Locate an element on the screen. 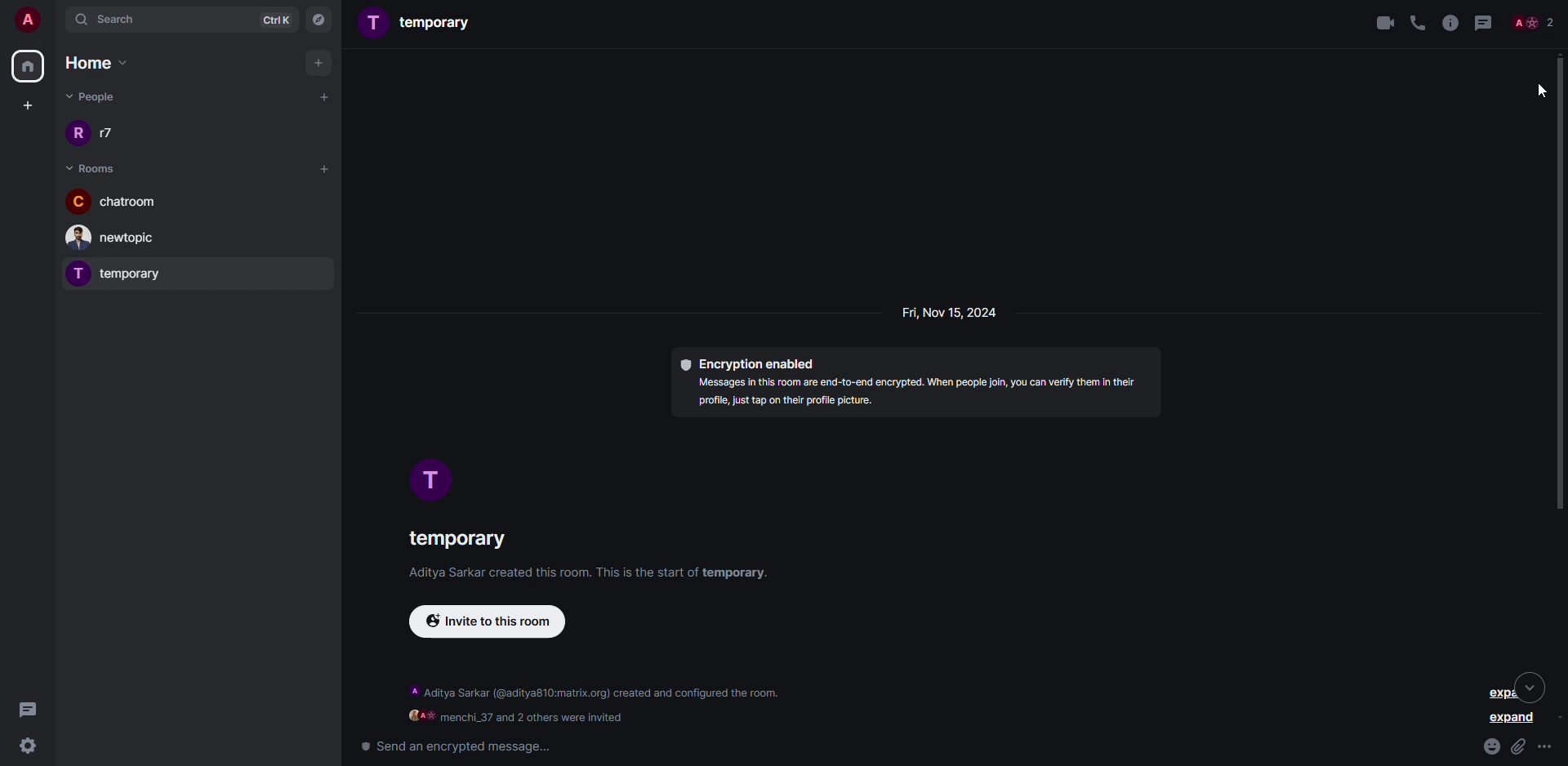 The image size is (1568, 766). search is located at coordinates (119, 19).